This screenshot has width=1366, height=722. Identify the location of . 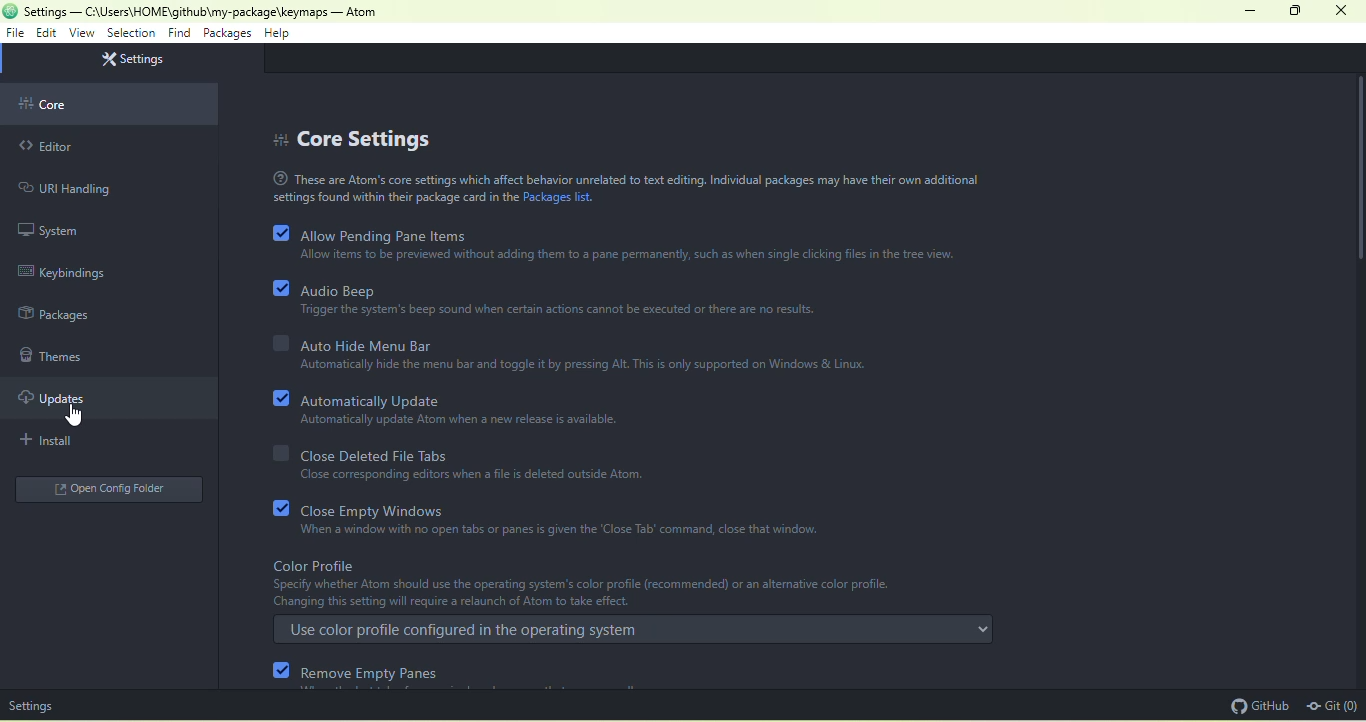
(67, 317).